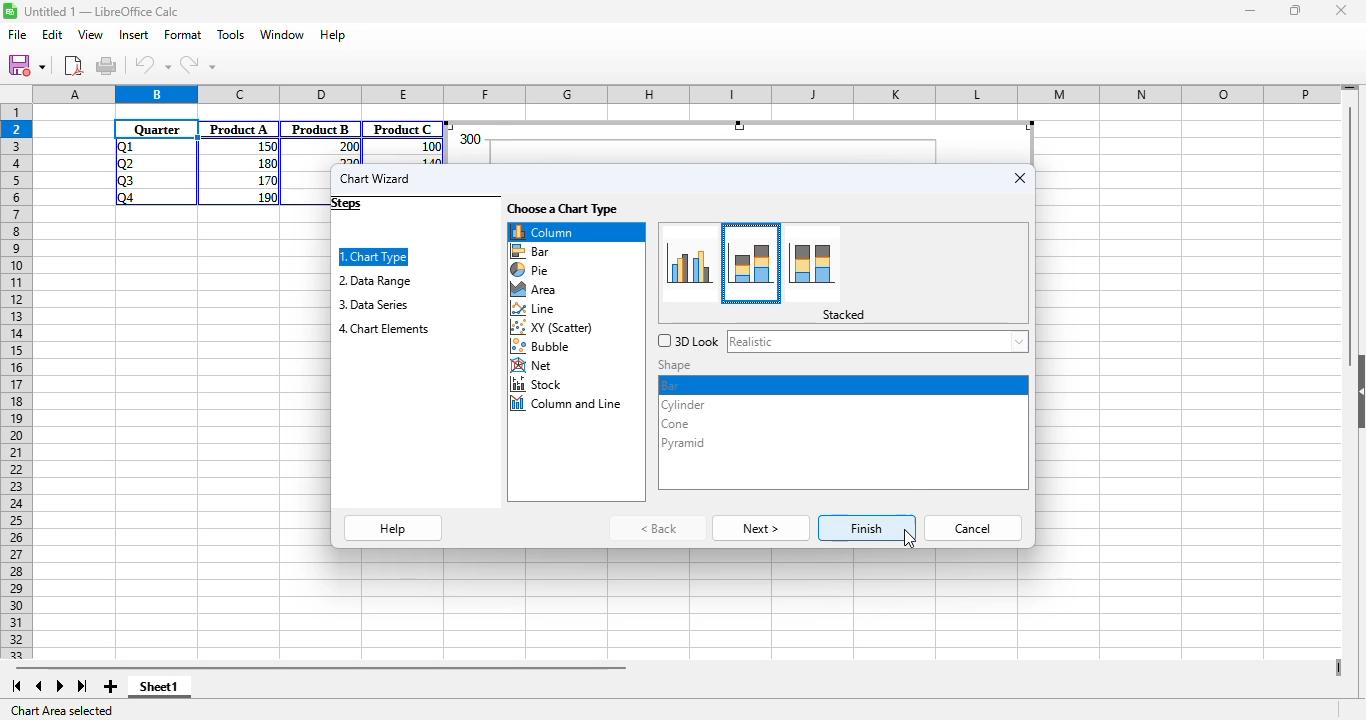  Describe the element at coordinates (688, 341) in the screenshot. I see `3D look checkbox` at that location.